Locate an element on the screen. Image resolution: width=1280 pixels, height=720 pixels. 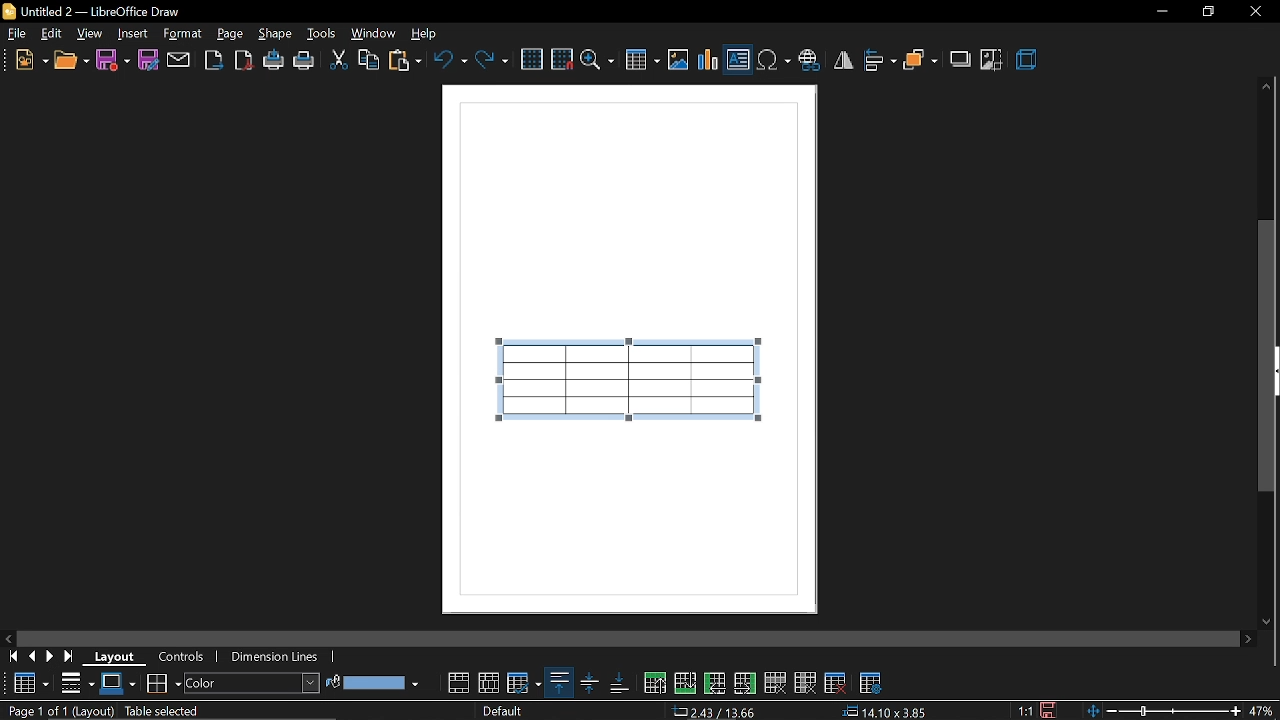
move left is located at coordinates (8, 637).